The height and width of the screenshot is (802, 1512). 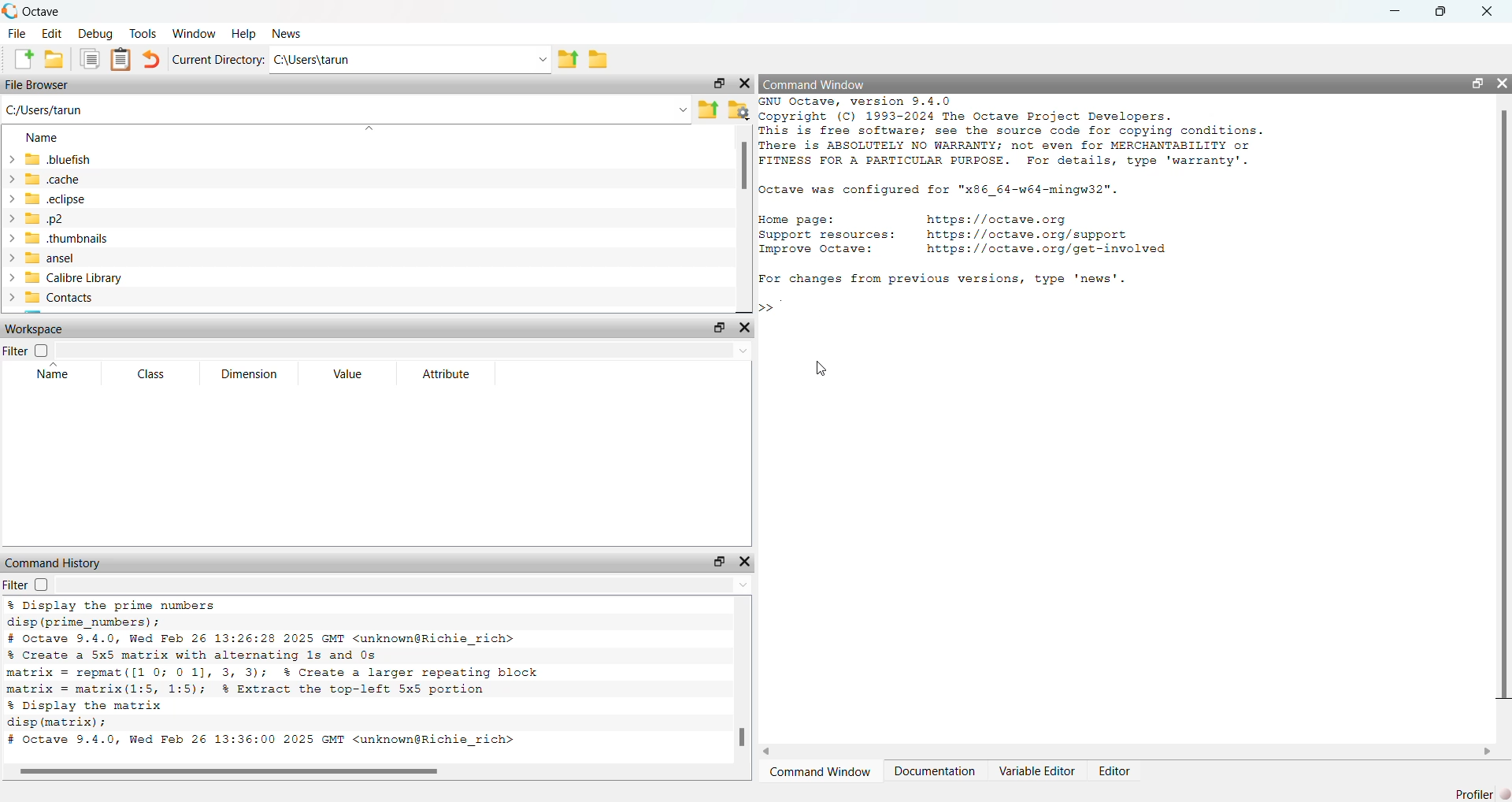 What do you see at coordinates (1117, 772) in the screenshot?
I see `editor` at bounding box center [1117, 772].